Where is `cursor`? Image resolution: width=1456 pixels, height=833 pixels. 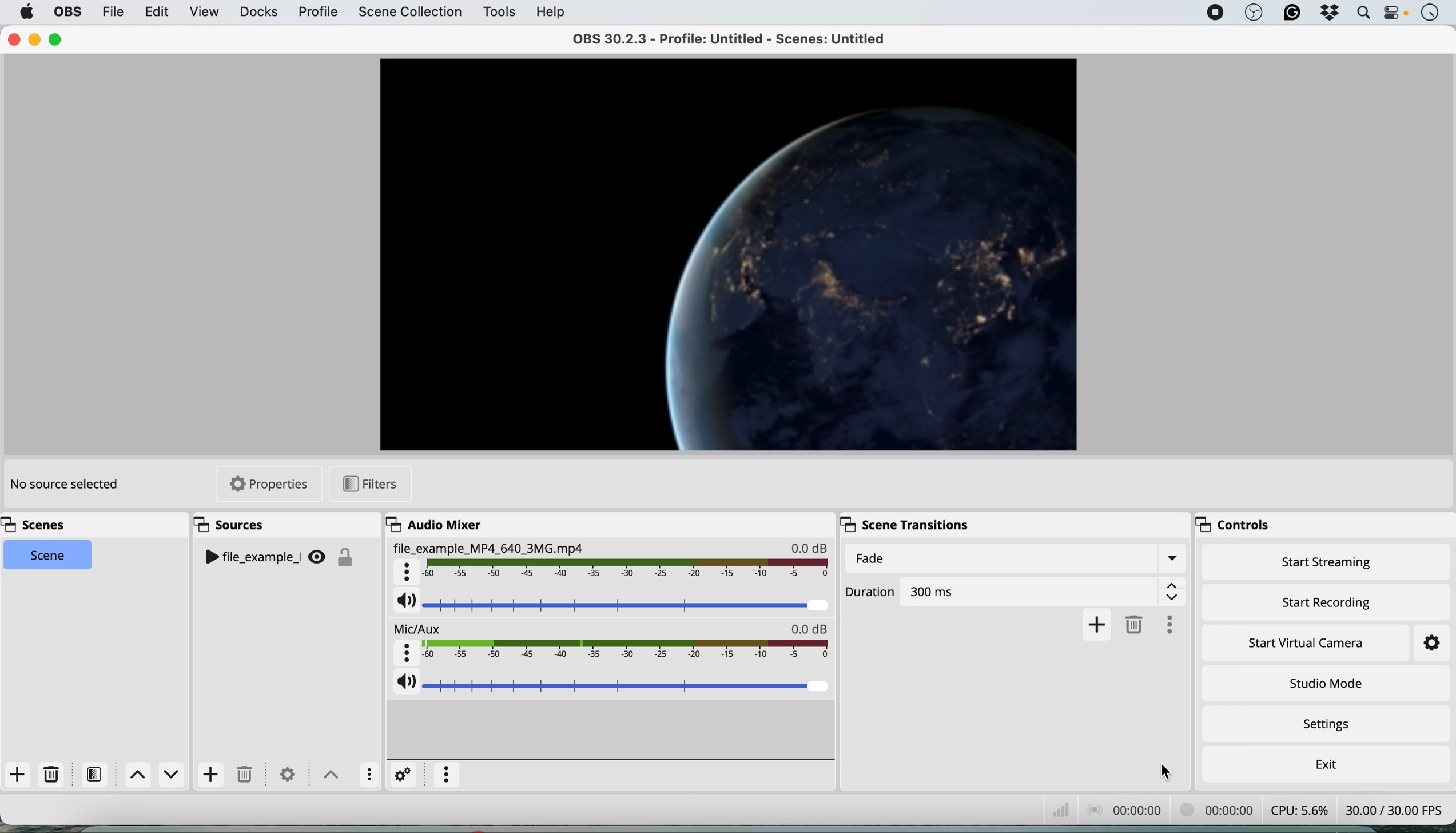 cursor is located at coordinates (1167, 772).